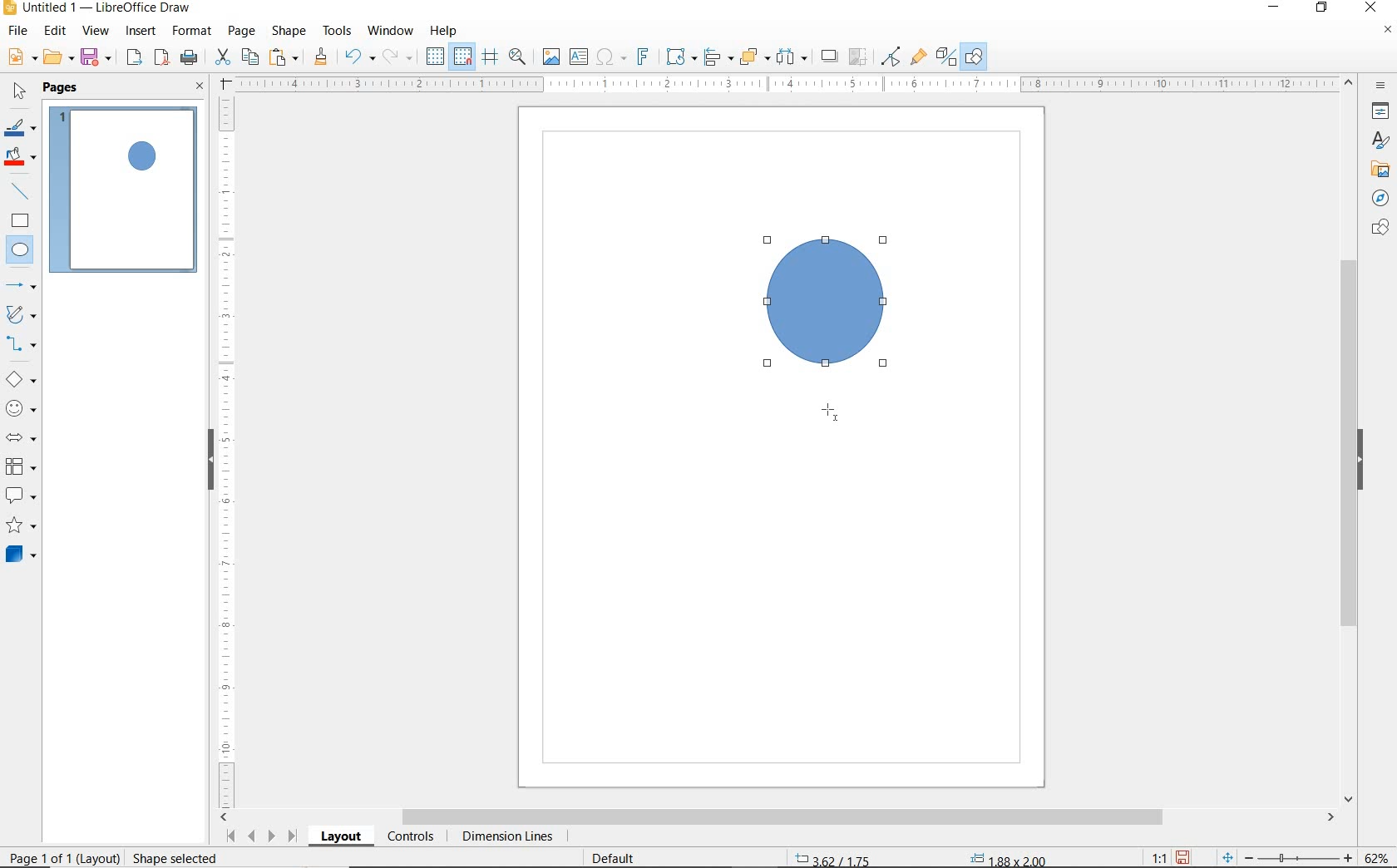 This screenshot has height=868, width=1397. What do you see at coordinates (1376, 143) in the screenshot?
I see `STYLES` at bounding box center [1376, 143].